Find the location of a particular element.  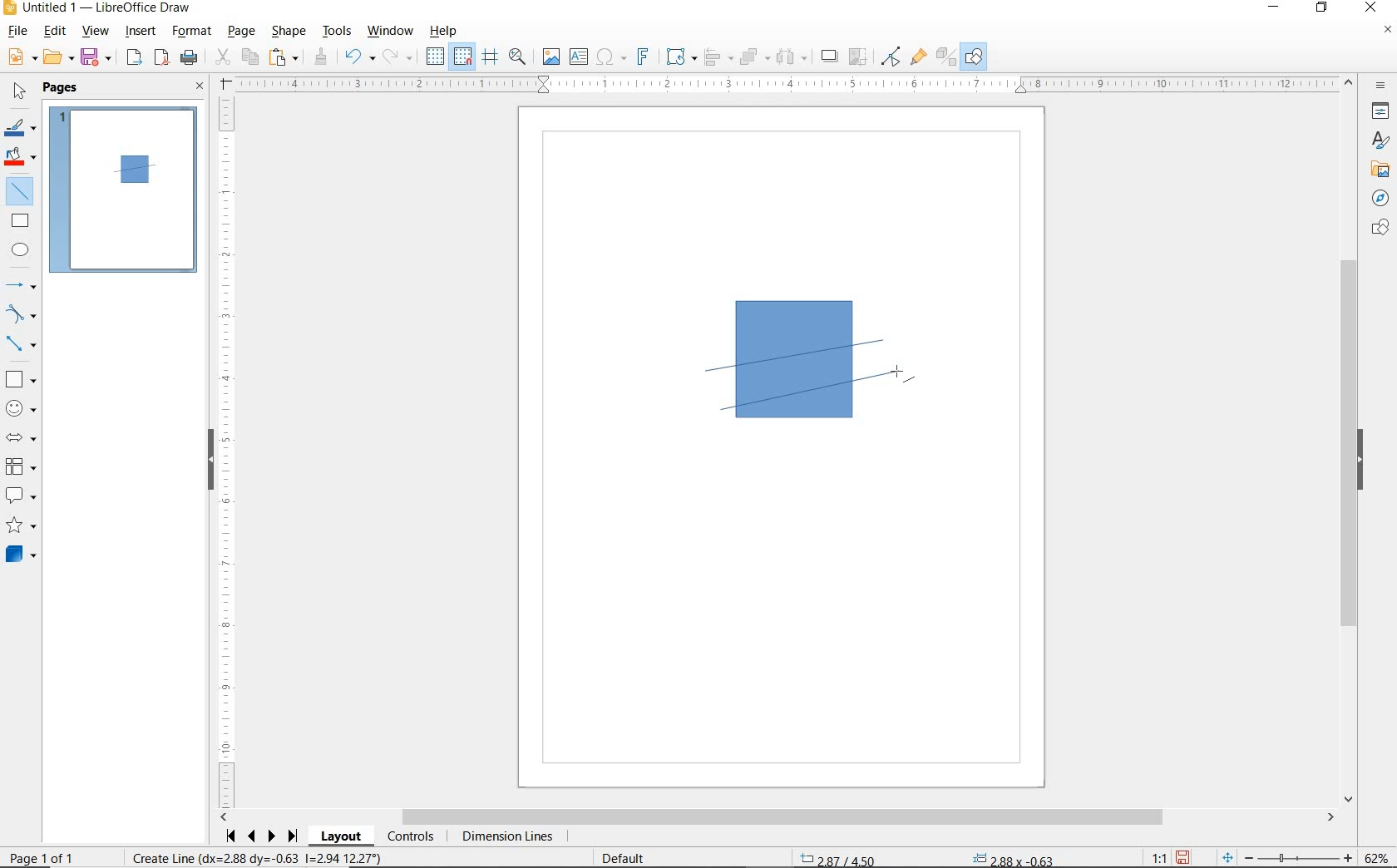

DEFAULT is located at coordinates (629, 859).